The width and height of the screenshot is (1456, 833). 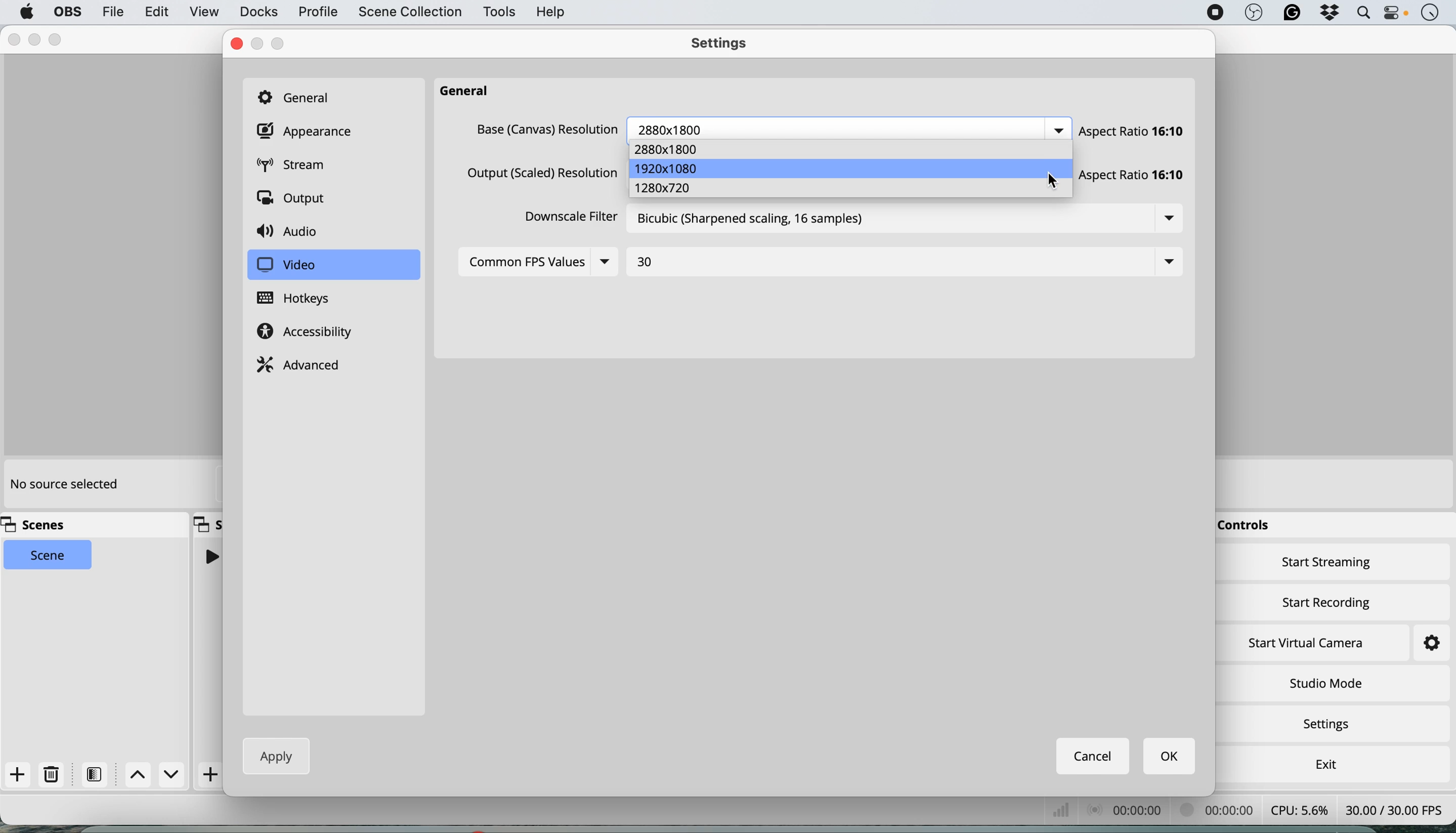 What do you see at coordinates (204, 13) in the screenshot?
I see `view` at bounding box center [204, 13].